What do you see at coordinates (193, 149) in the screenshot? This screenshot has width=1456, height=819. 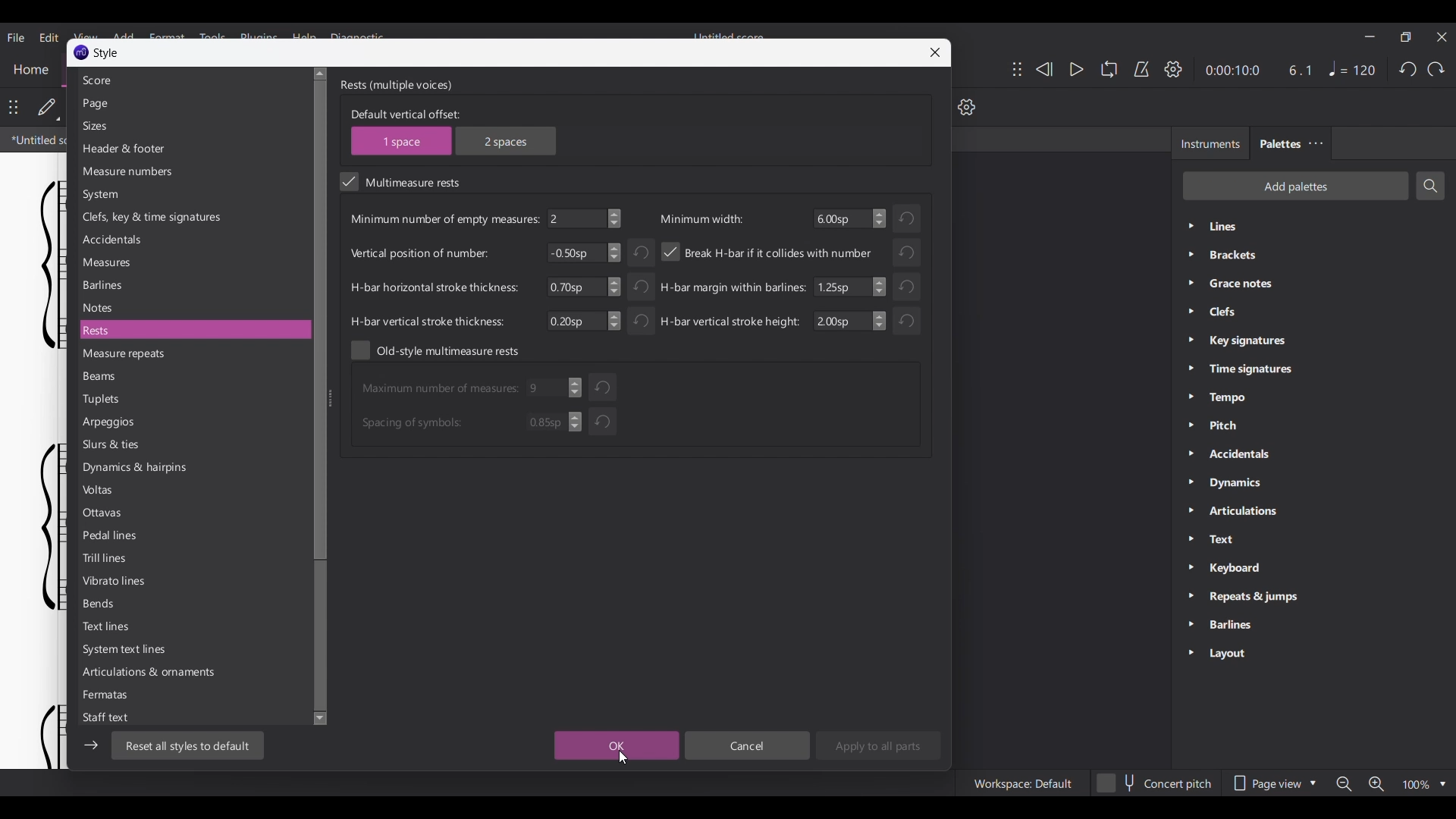 I see `Header and footer` at bounding box center [193, 149].